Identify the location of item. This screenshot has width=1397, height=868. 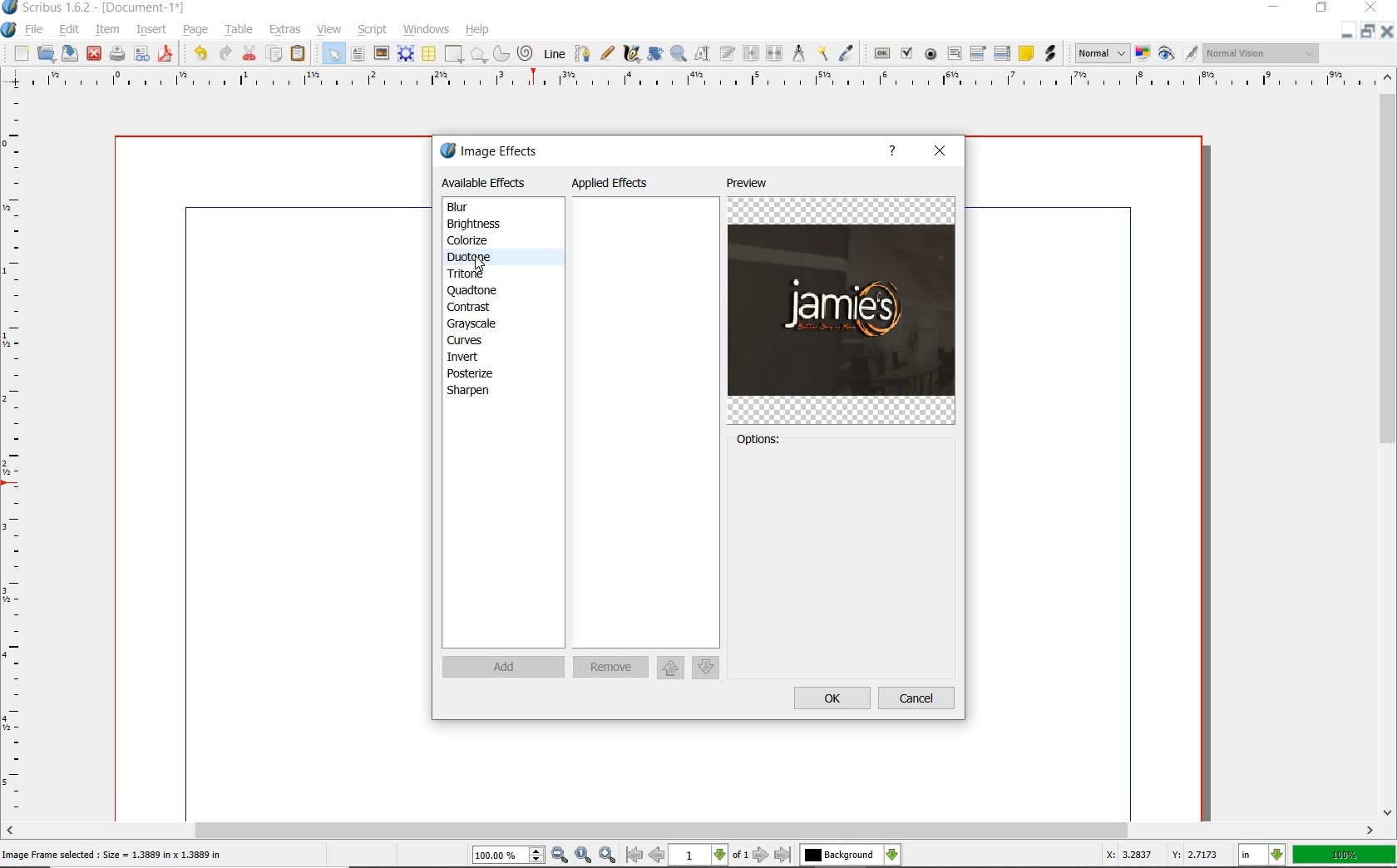
(108, 28).